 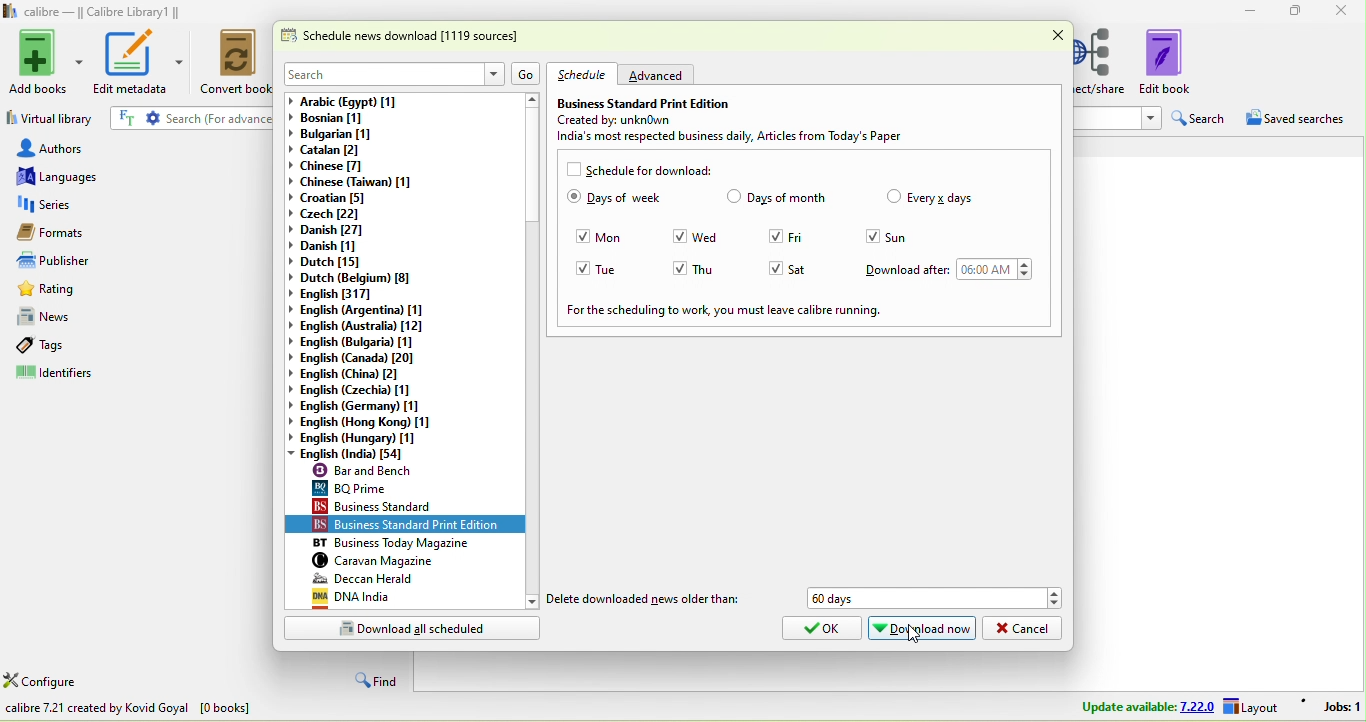 I want to click on edit metadata options, so click(x=181, y=61).